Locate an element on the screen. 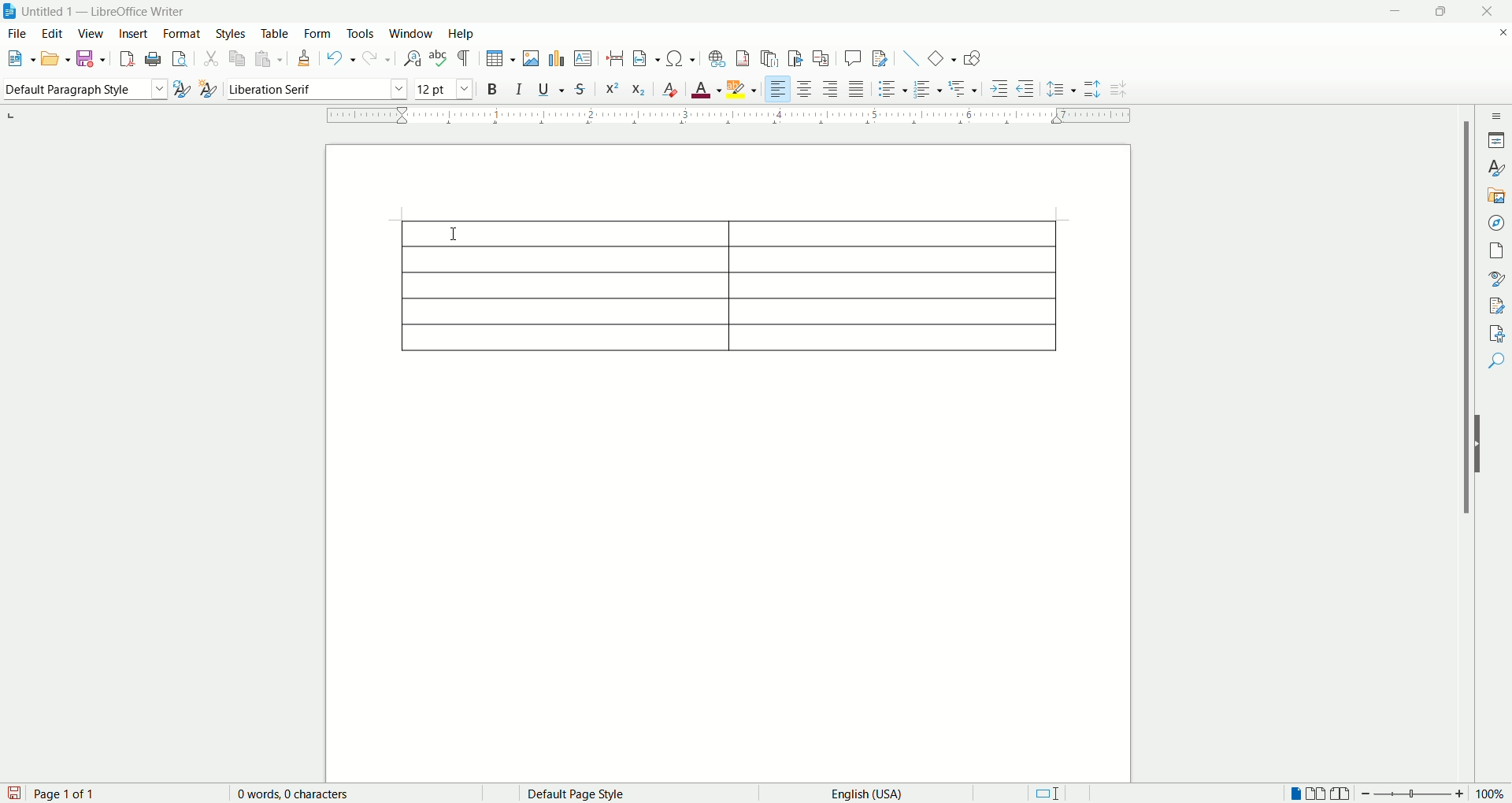  zoom bar is located at coordinates (1414, 794).